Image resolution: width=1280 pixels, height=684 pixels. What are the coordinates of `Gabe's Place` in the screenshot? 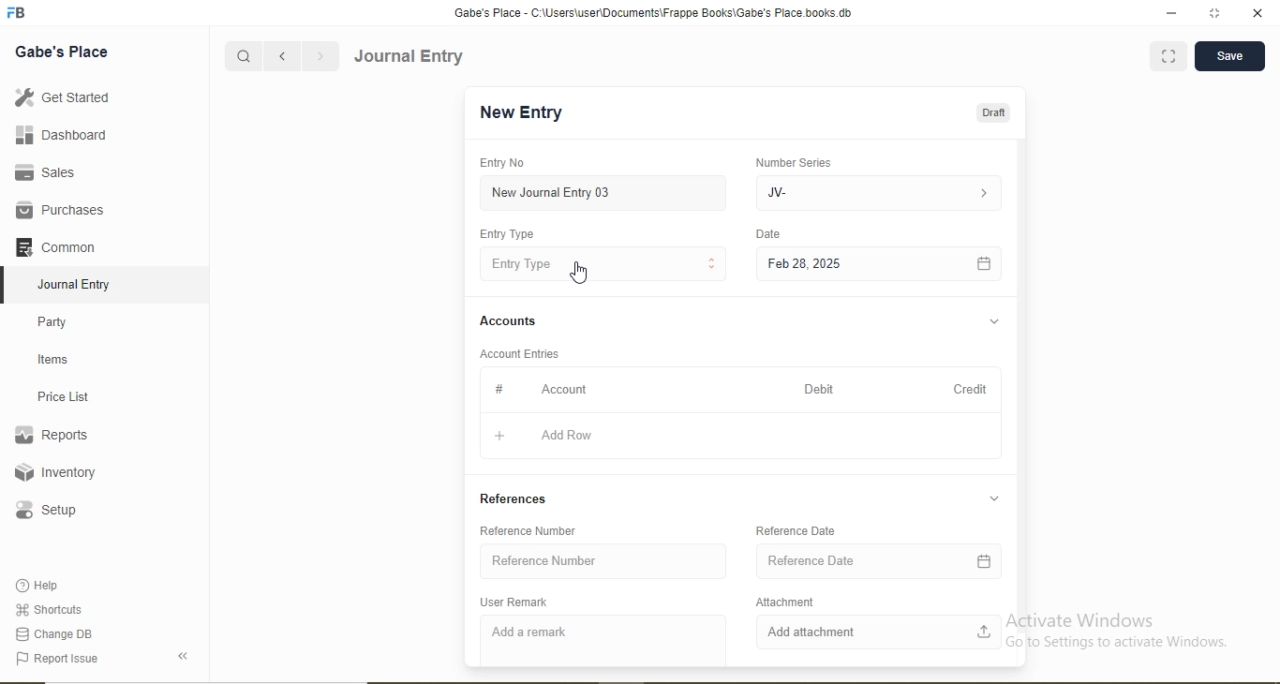 It's located at (62, 52).